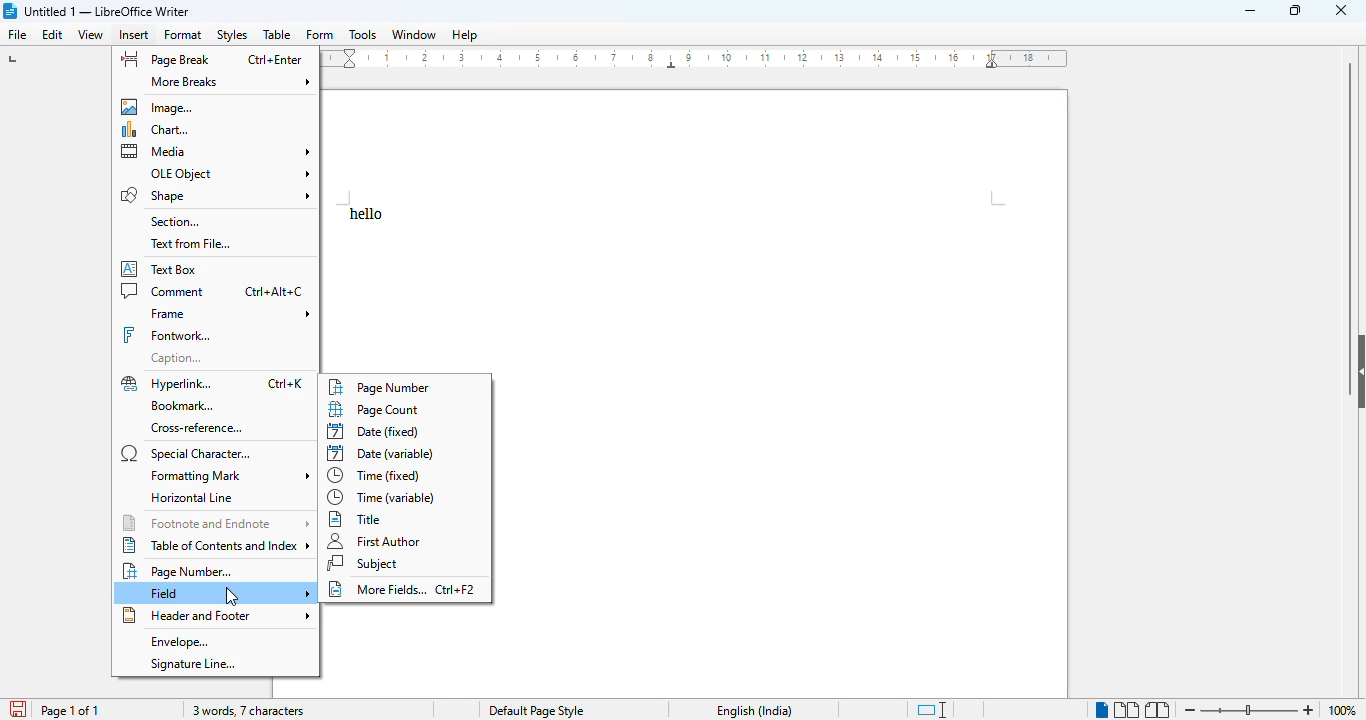 This screenshot has height=720, width=1366. What do you see at coordinates (70, 711) in the screenshot?
I see `page 1 of 1` at bounding box center [70, 711].